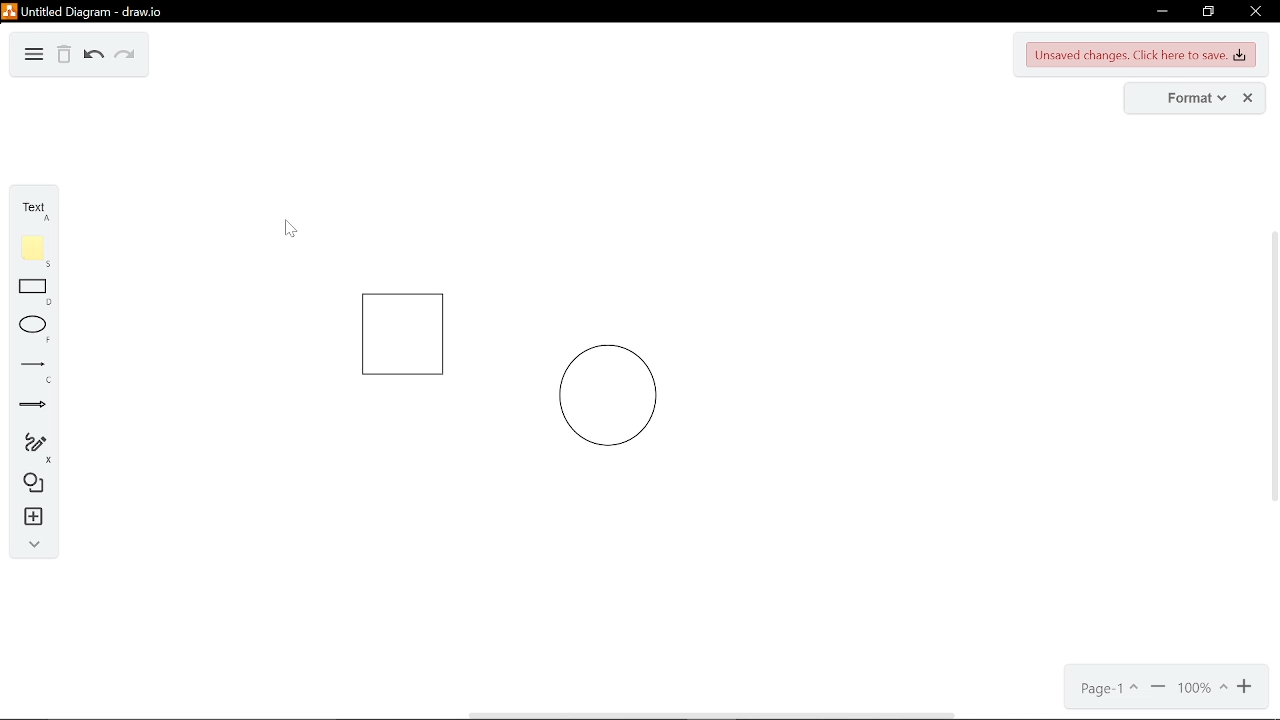  I want to click on current zoom, so click(1202, 690).